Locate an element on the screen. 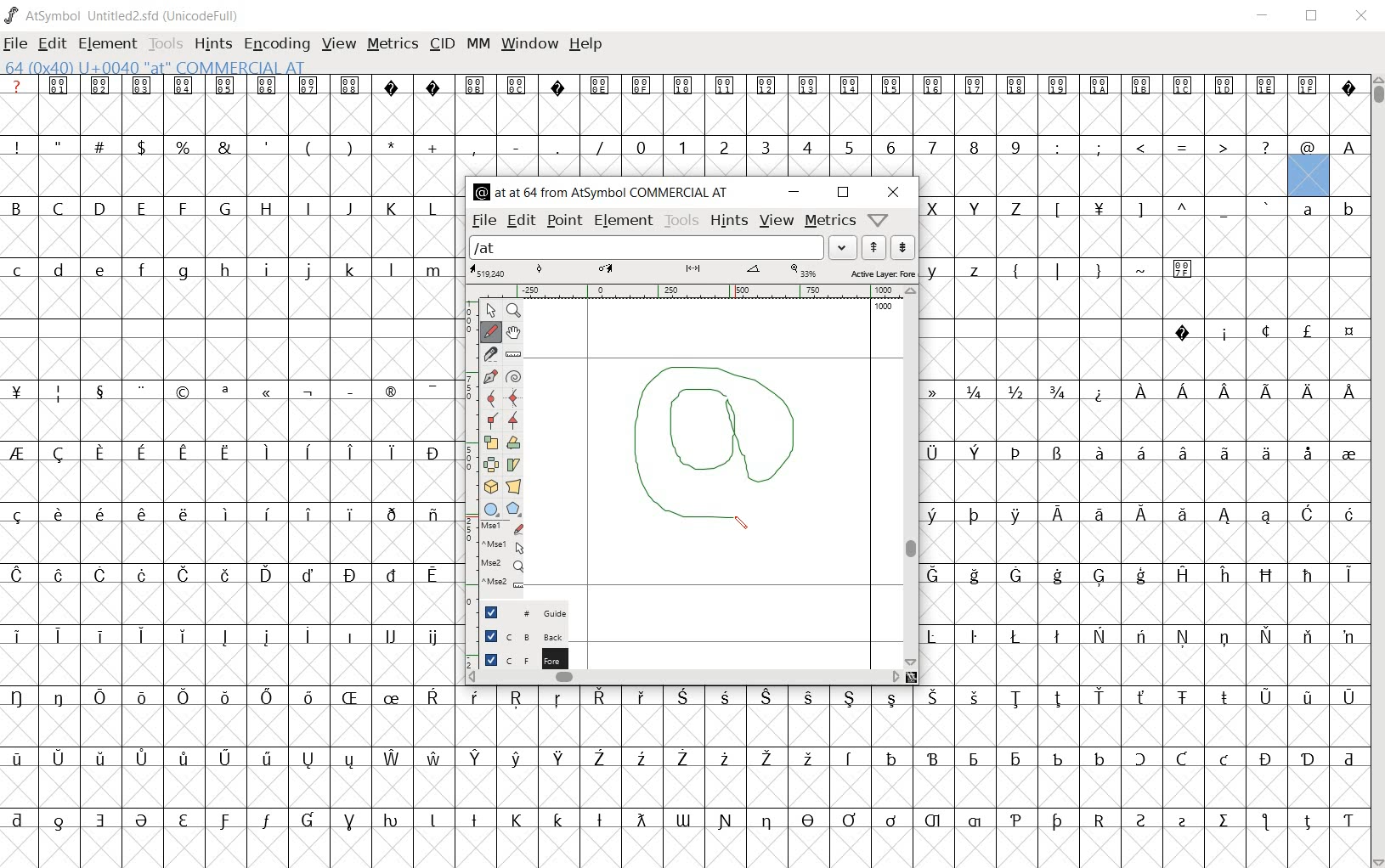 The width and height of the screenshot is (1385, 868). SCROLLBAR is located at coordinates (1377, 472).